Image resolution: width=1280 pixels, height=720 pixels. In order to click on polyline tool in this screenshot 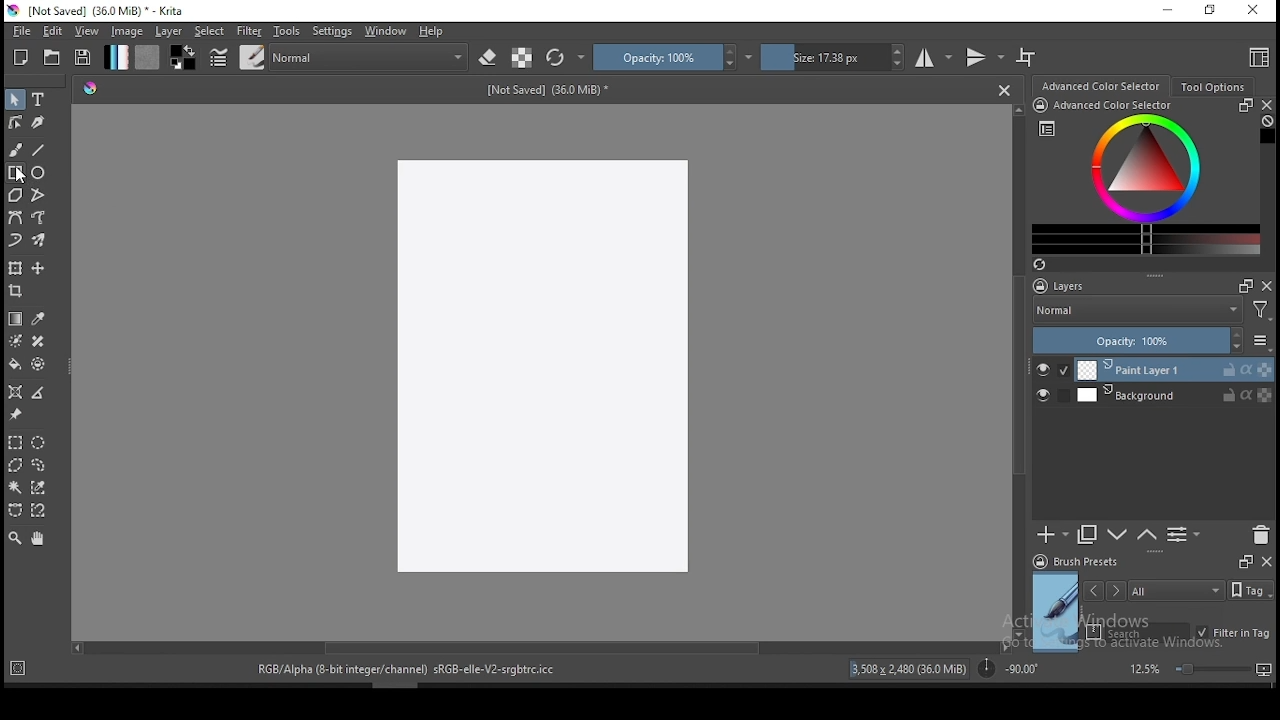, I will do `click(38, 193)`.